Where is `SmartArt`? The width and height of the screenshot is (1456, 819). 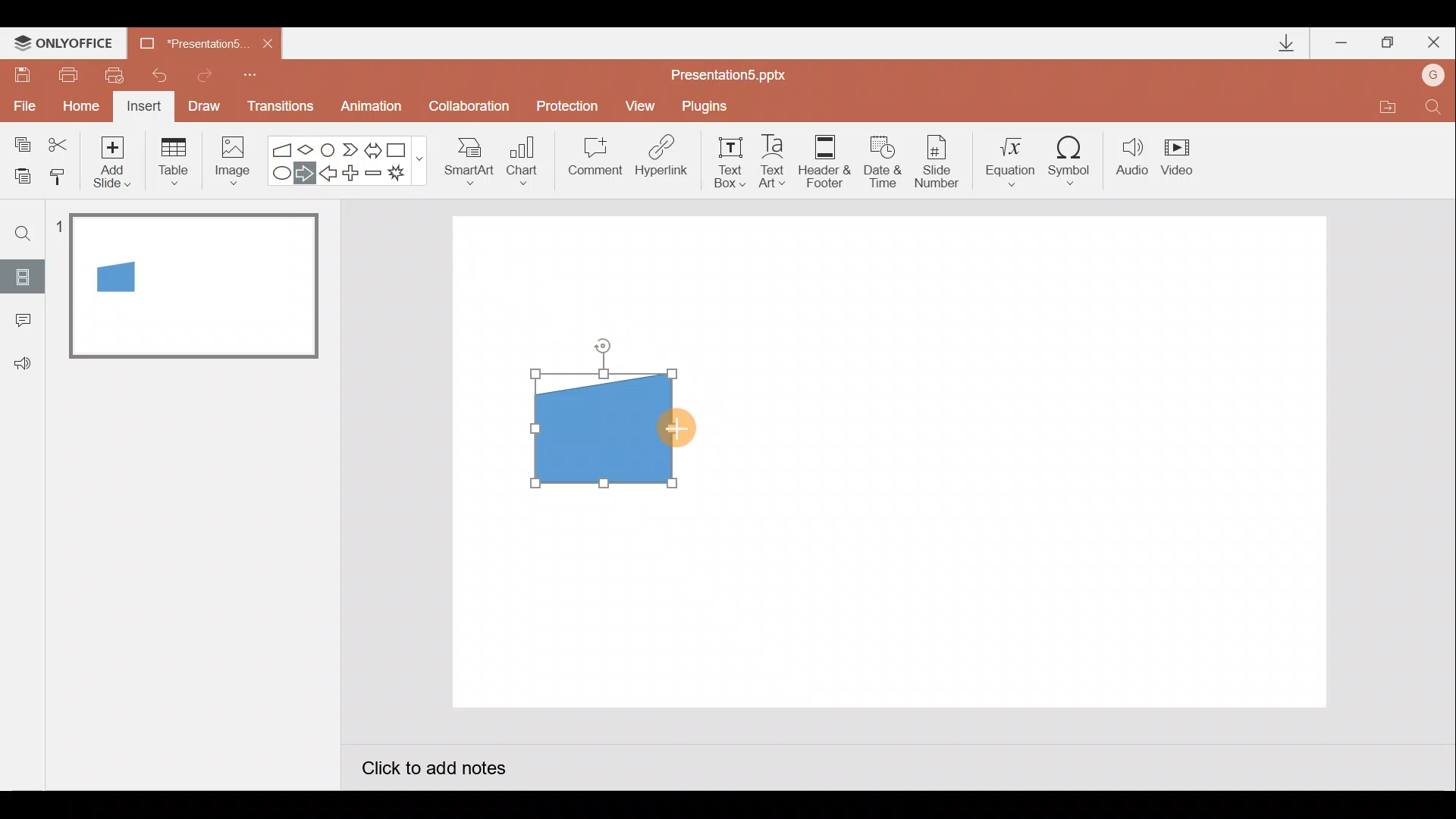
SmartArt is located at coordinates (463, 160).